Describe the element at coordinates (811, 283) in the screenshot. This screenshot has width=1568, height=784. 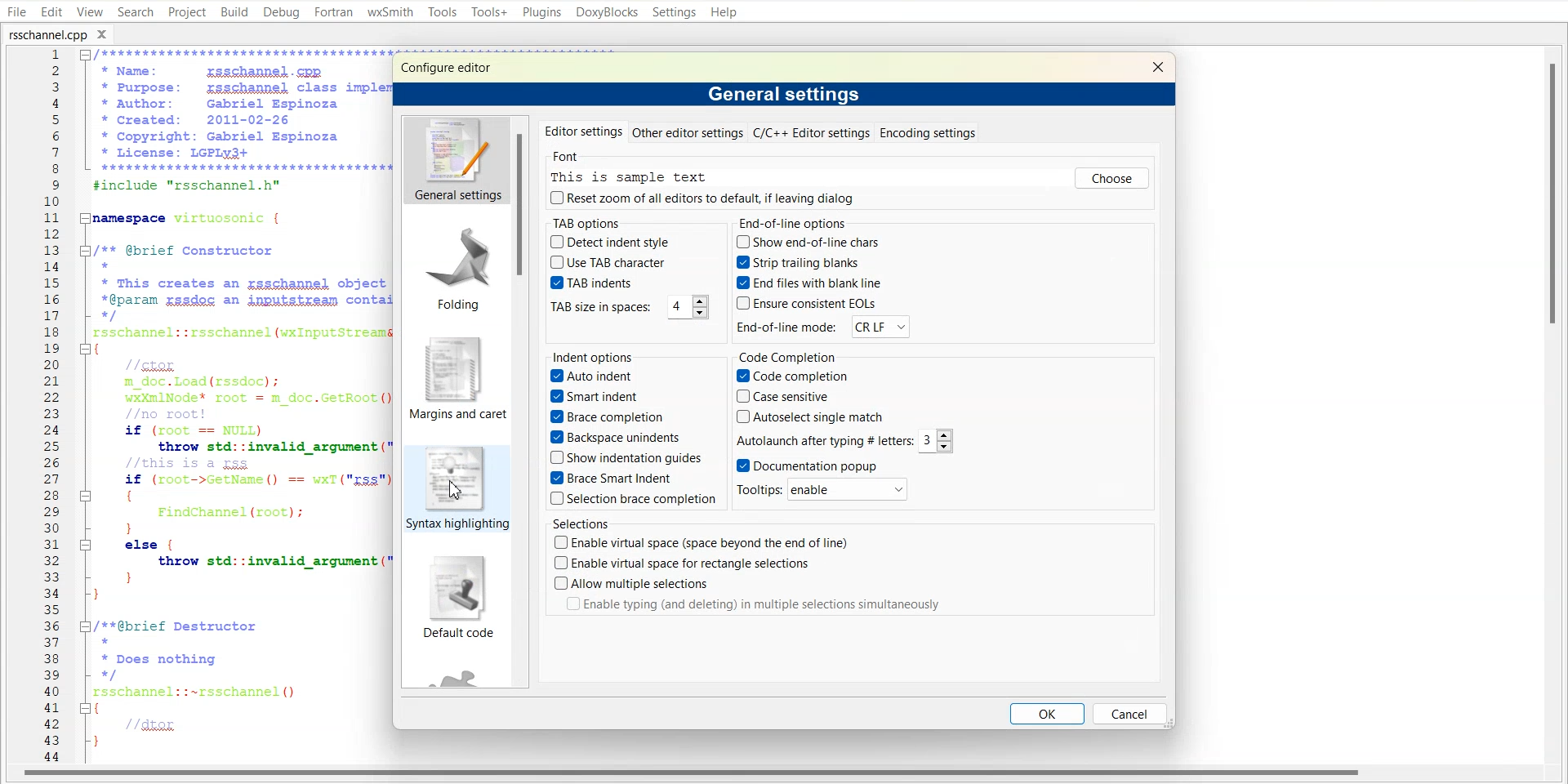
I see `End files with blank line` at that location.